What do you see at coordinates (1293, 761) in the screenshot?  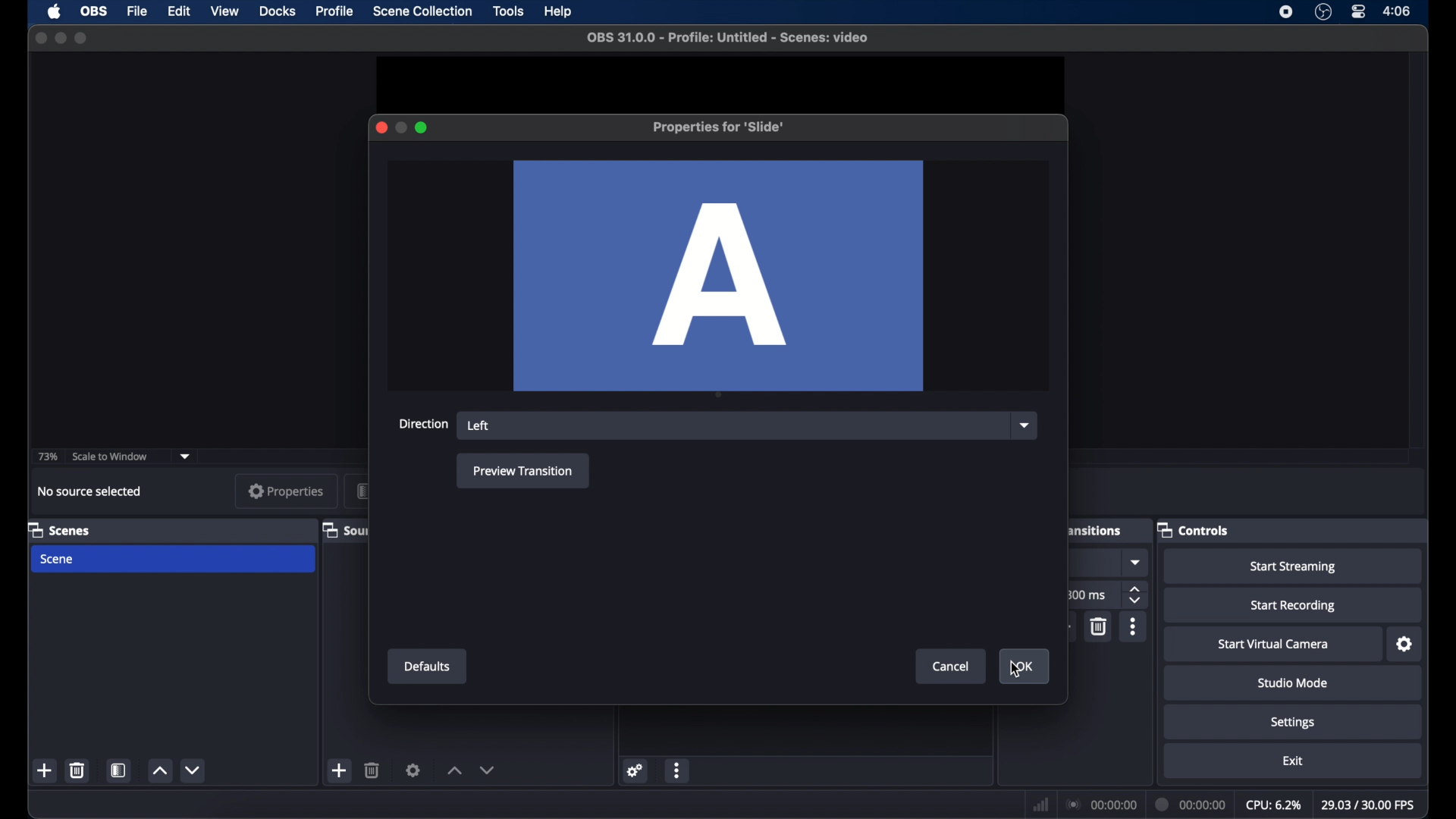 I see `exit` at bounding box center [1293, 761].